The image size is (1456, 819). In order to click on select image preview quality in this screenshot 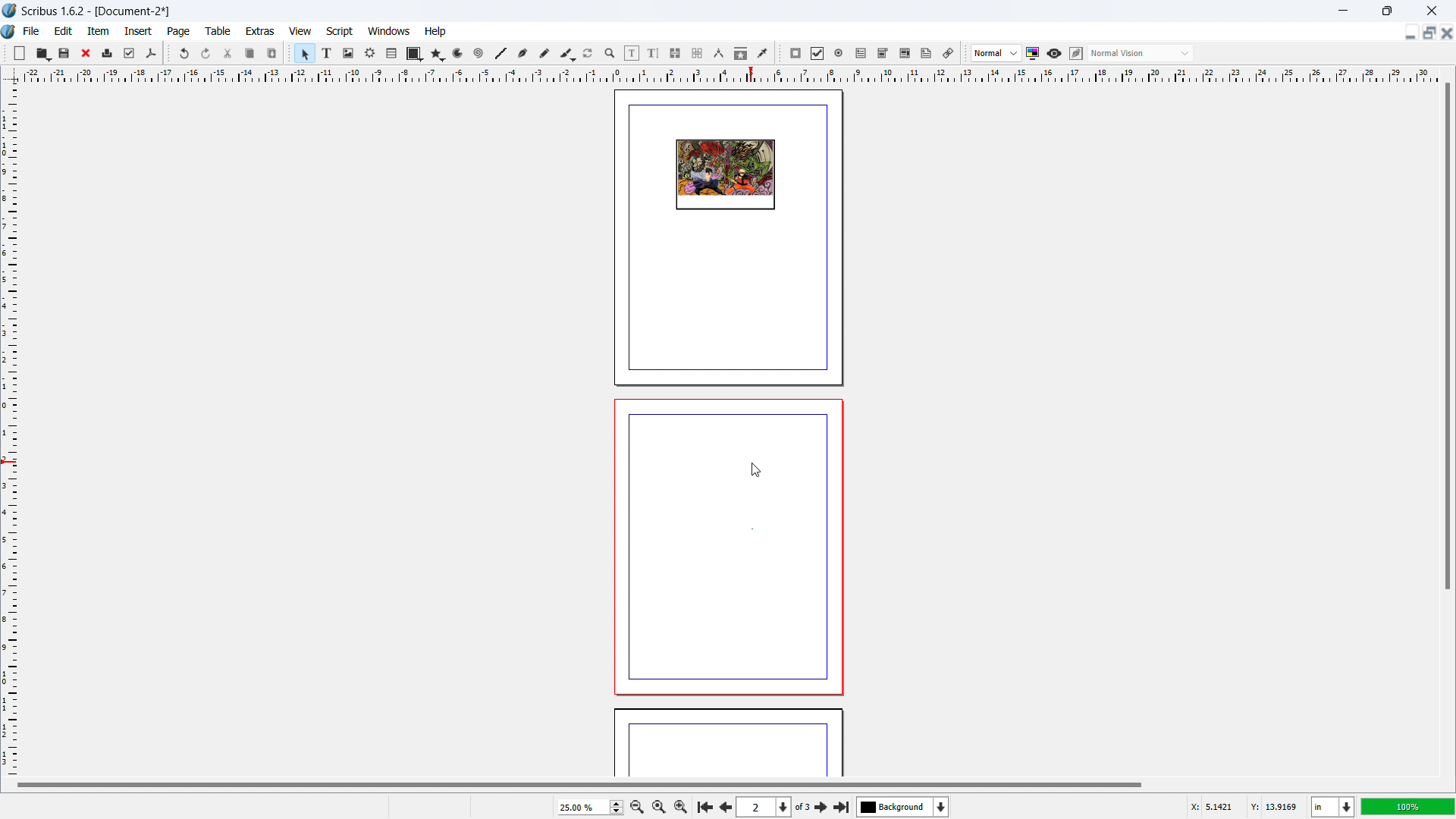, I will do `click(996, 53)`.